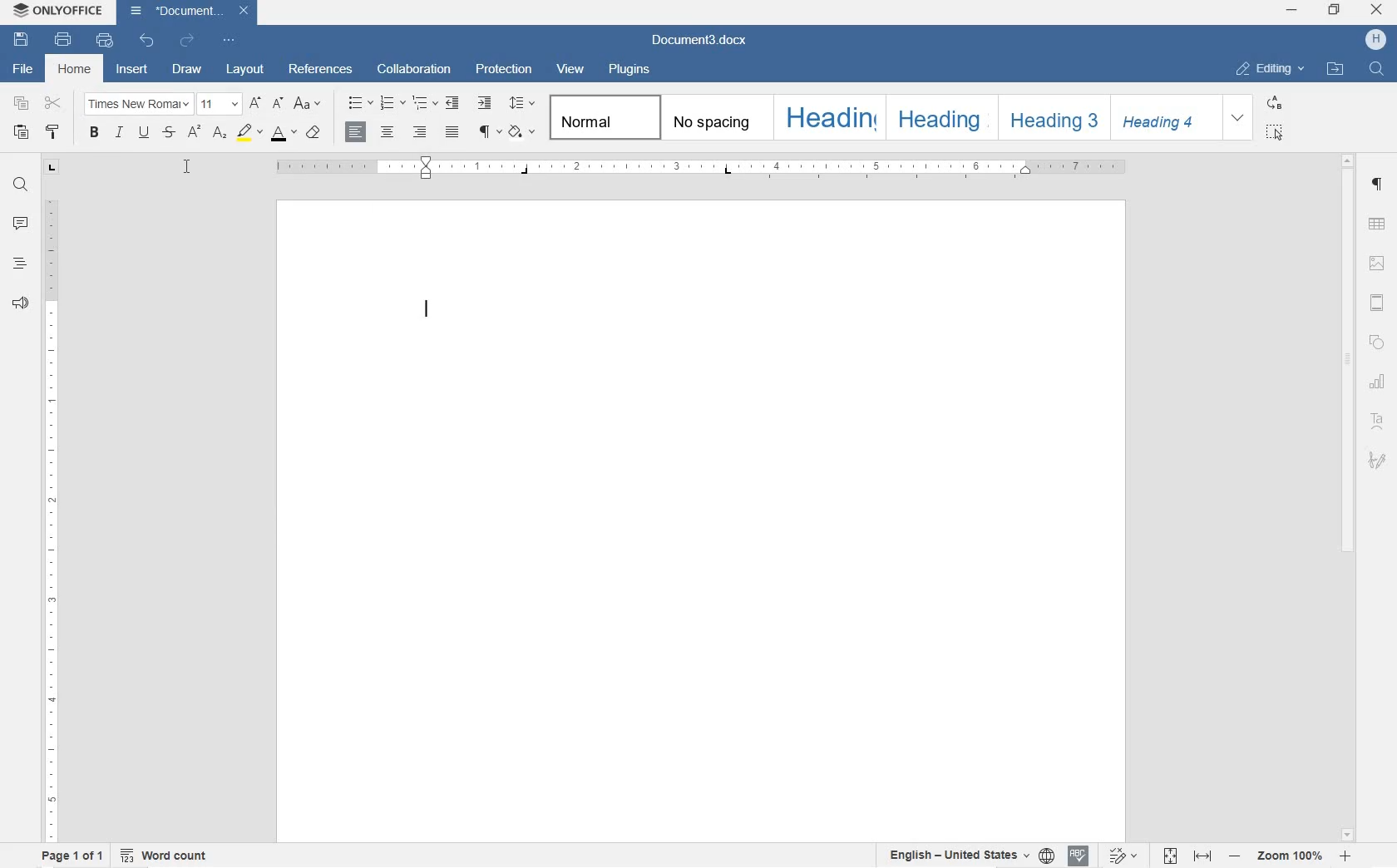  Describe the element at coordinates (1376, 224) in the screenshot. I see `TABLE` at that location.